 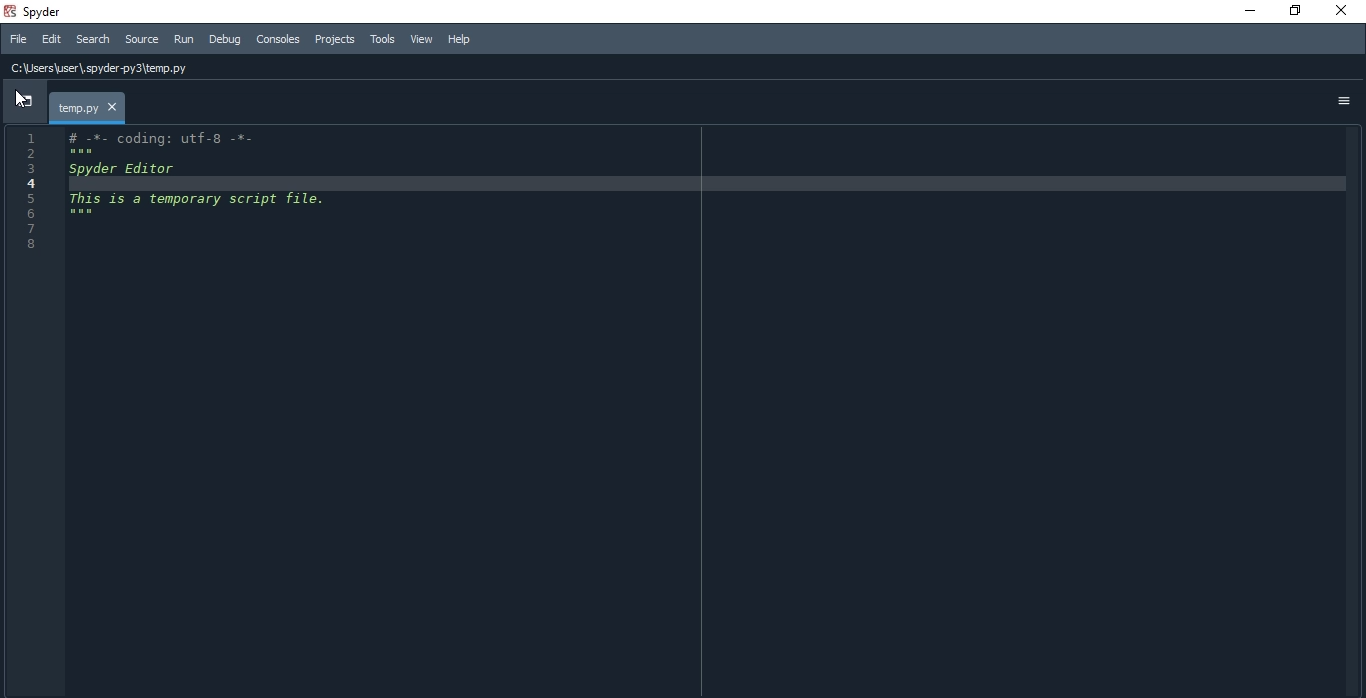 What do you see at coordinates (93, 40) in the screenshot?
I see `Search` at bounding box center [93, 40].